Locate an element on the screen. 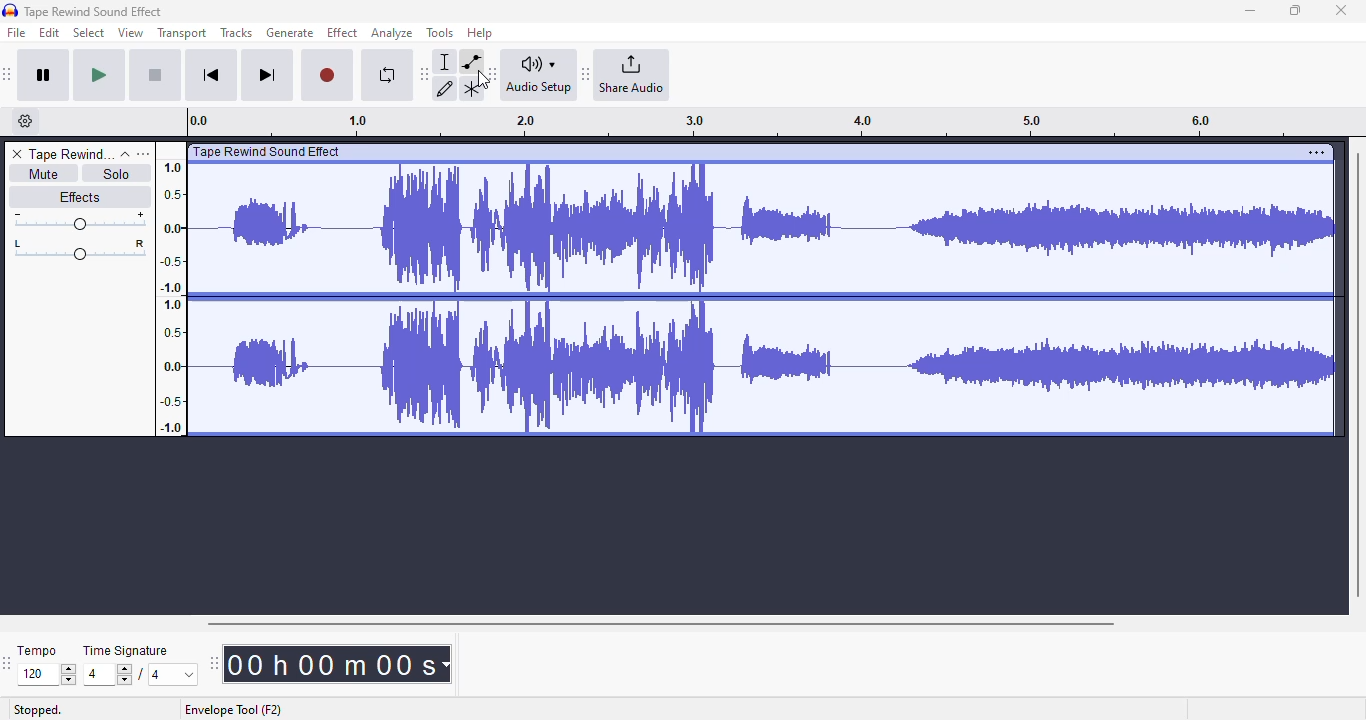 This screenshot has height=720, width=1366. help is located at coordinates (480, 32).